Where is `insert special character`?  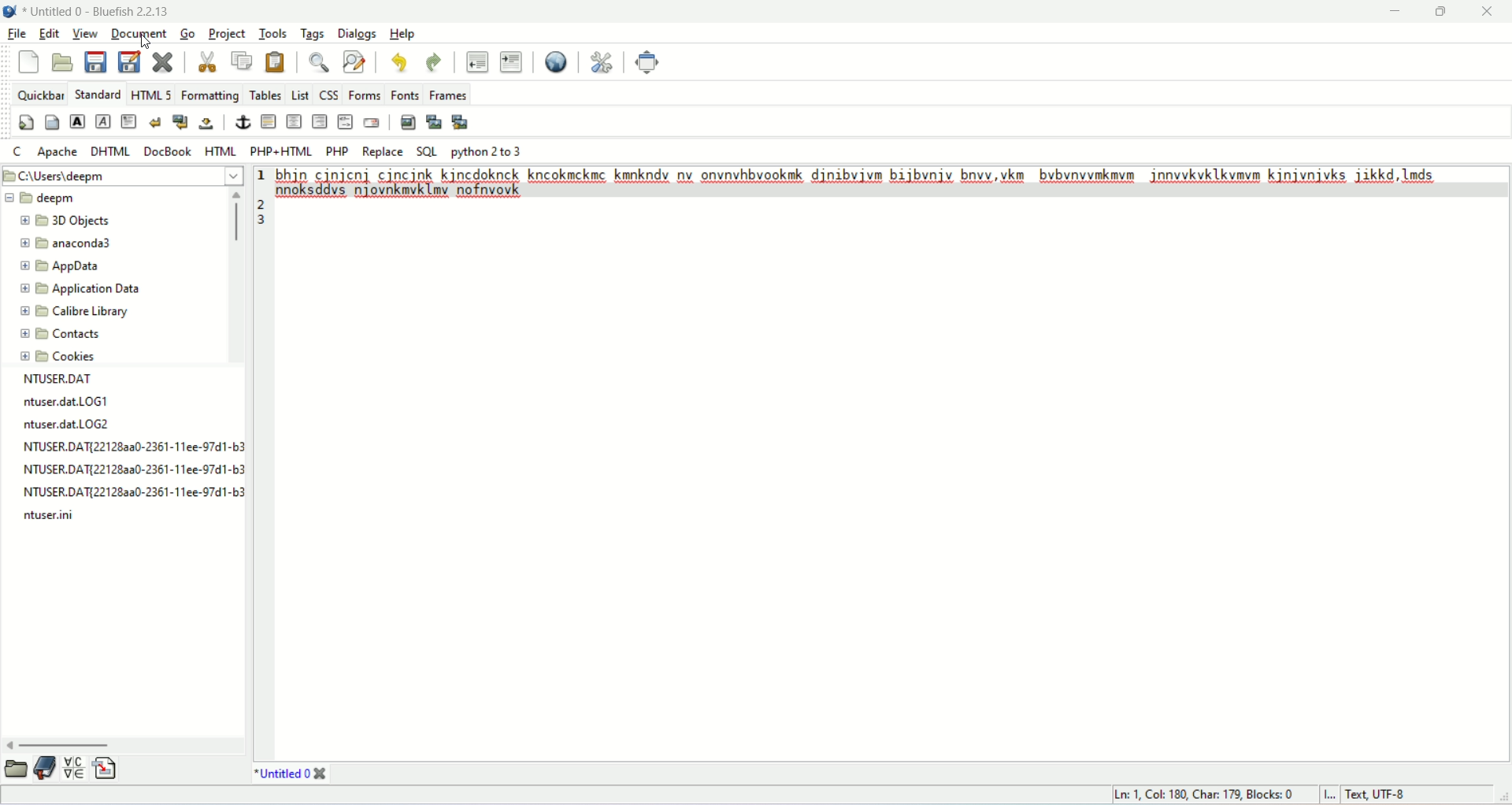
insert special character is located at coordinates (73, 768).